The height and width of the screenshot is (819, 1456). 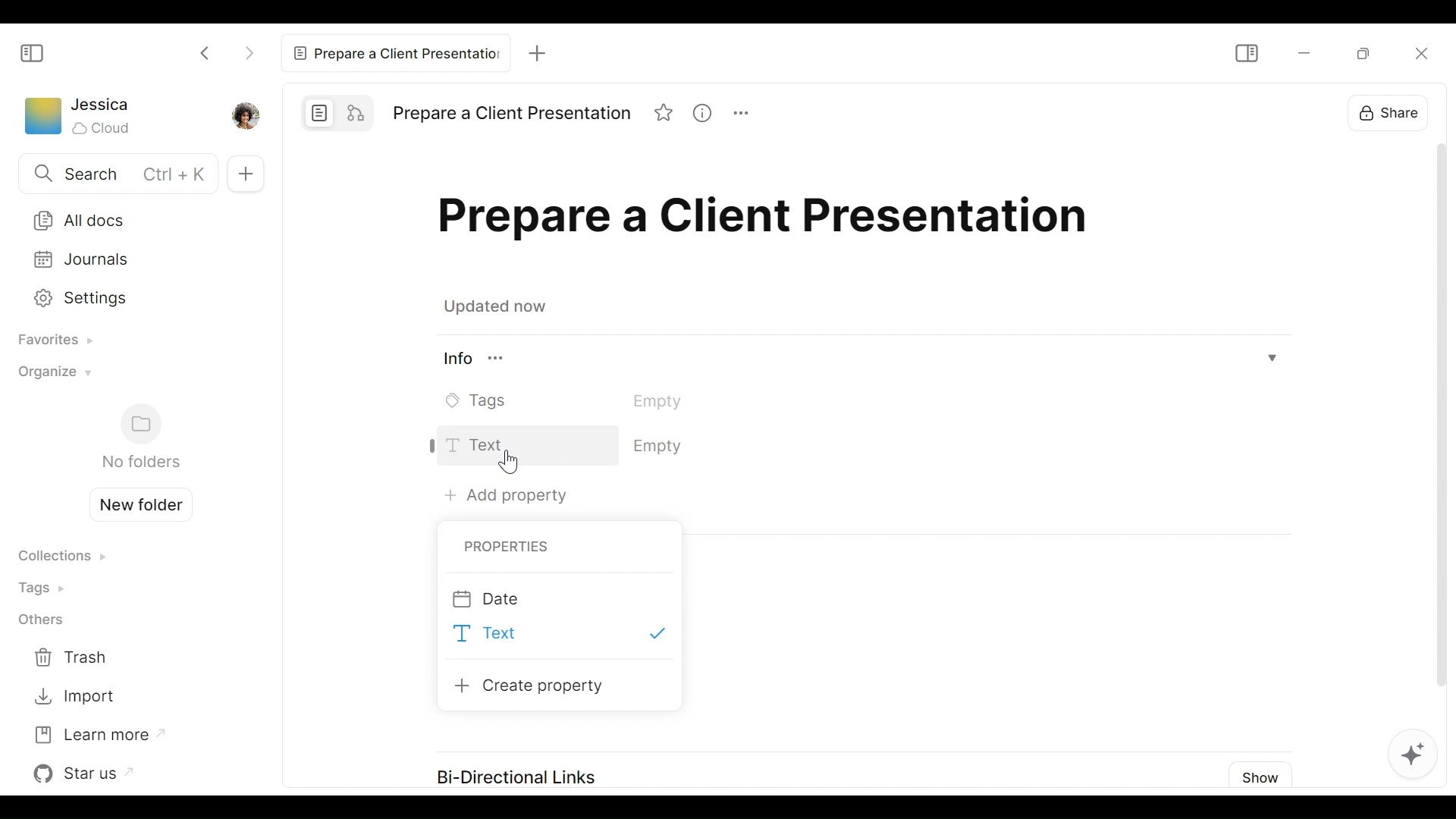 What do you see at coordinates (140, 438) in the screenshot?
I see `Folders` at bounding box center [140, 438].